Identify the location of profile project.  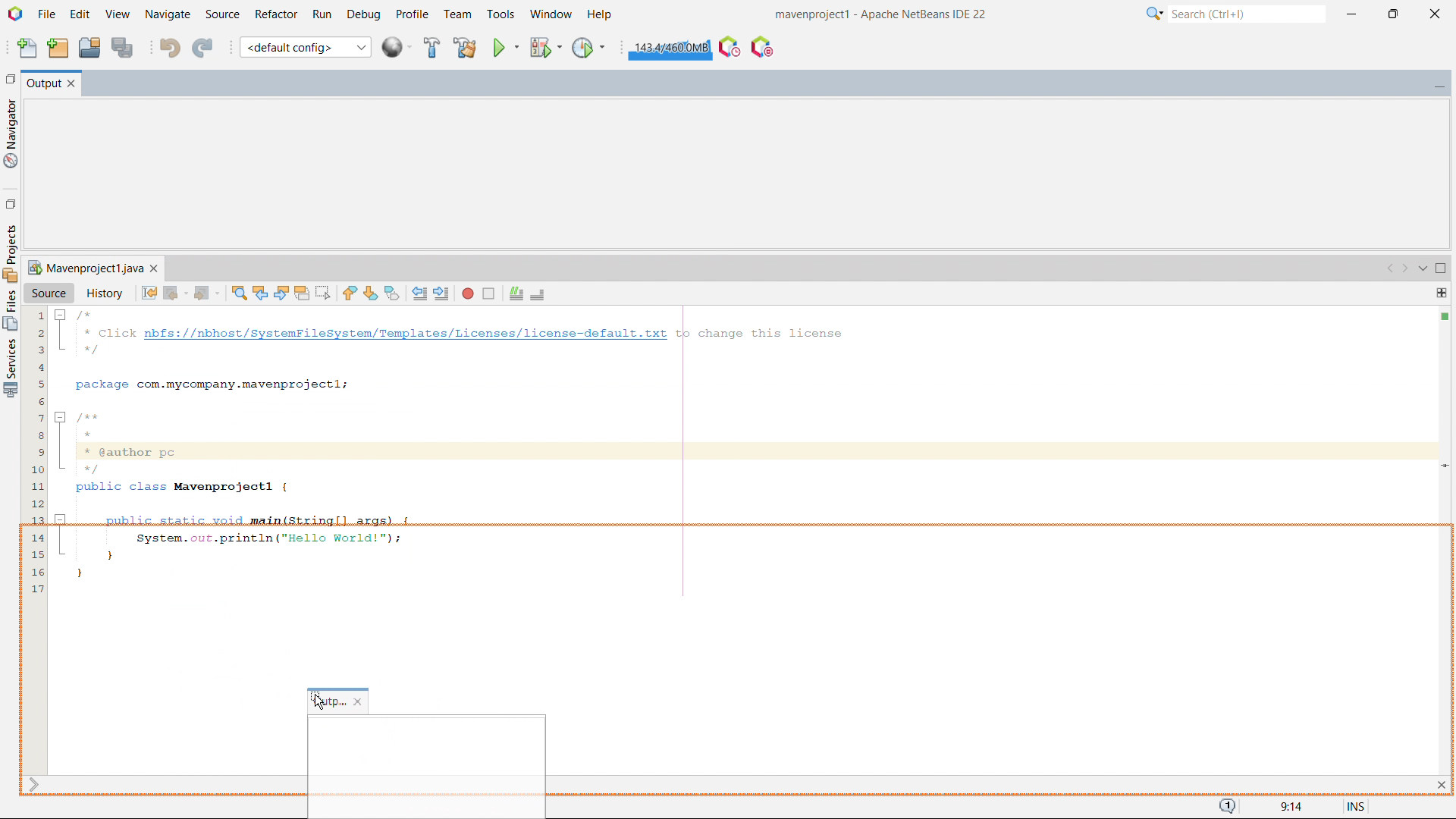
(589, 48).